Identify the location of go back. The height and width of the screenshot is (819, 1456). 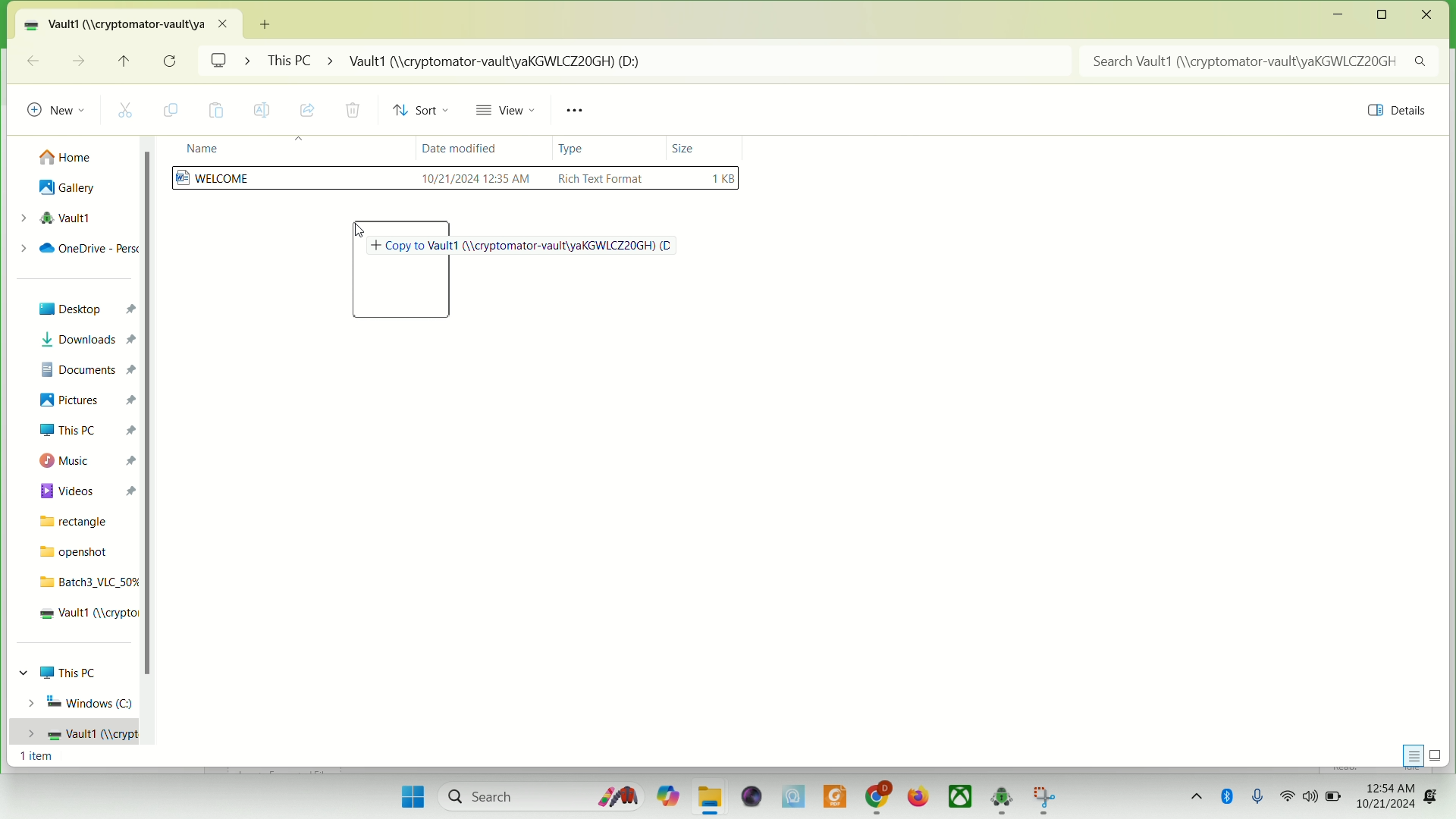
(33, 60).